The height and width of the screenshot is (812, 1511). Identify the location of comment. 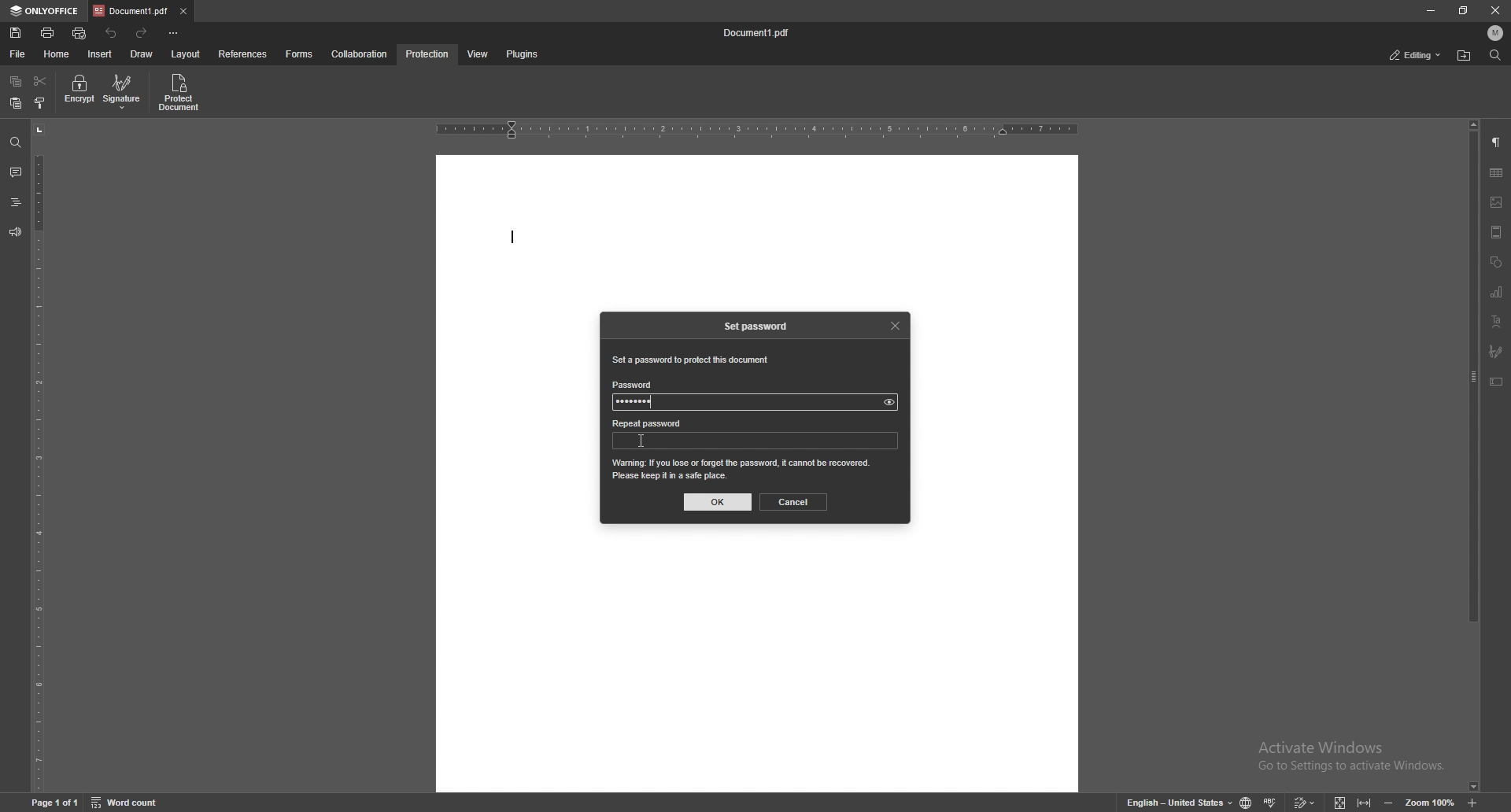
(16, 172).